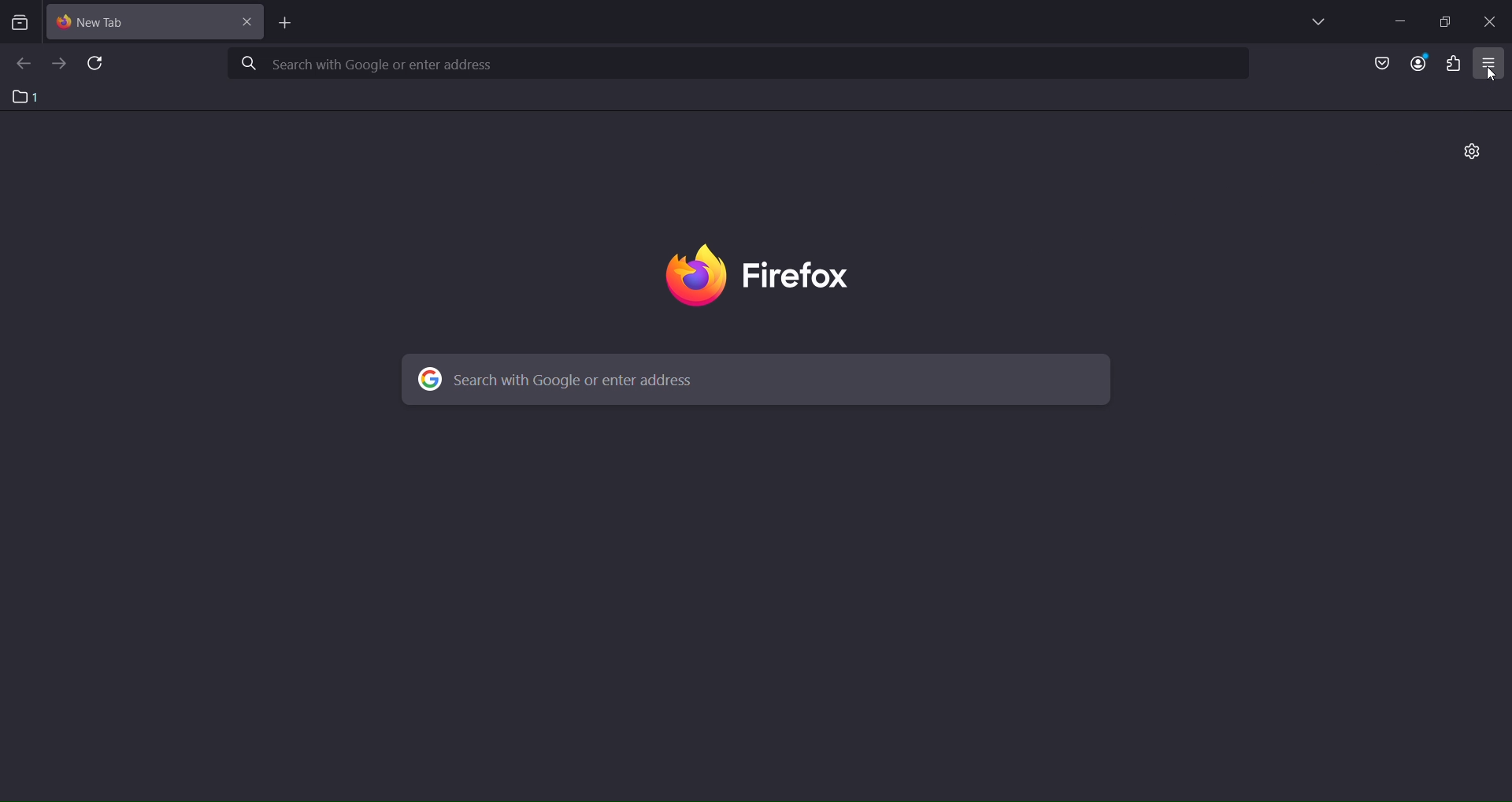 This screenshot has width=1512, height=802. Describe the element at coordinates (98, 65) in the screenshot. I see `reload` at that location.